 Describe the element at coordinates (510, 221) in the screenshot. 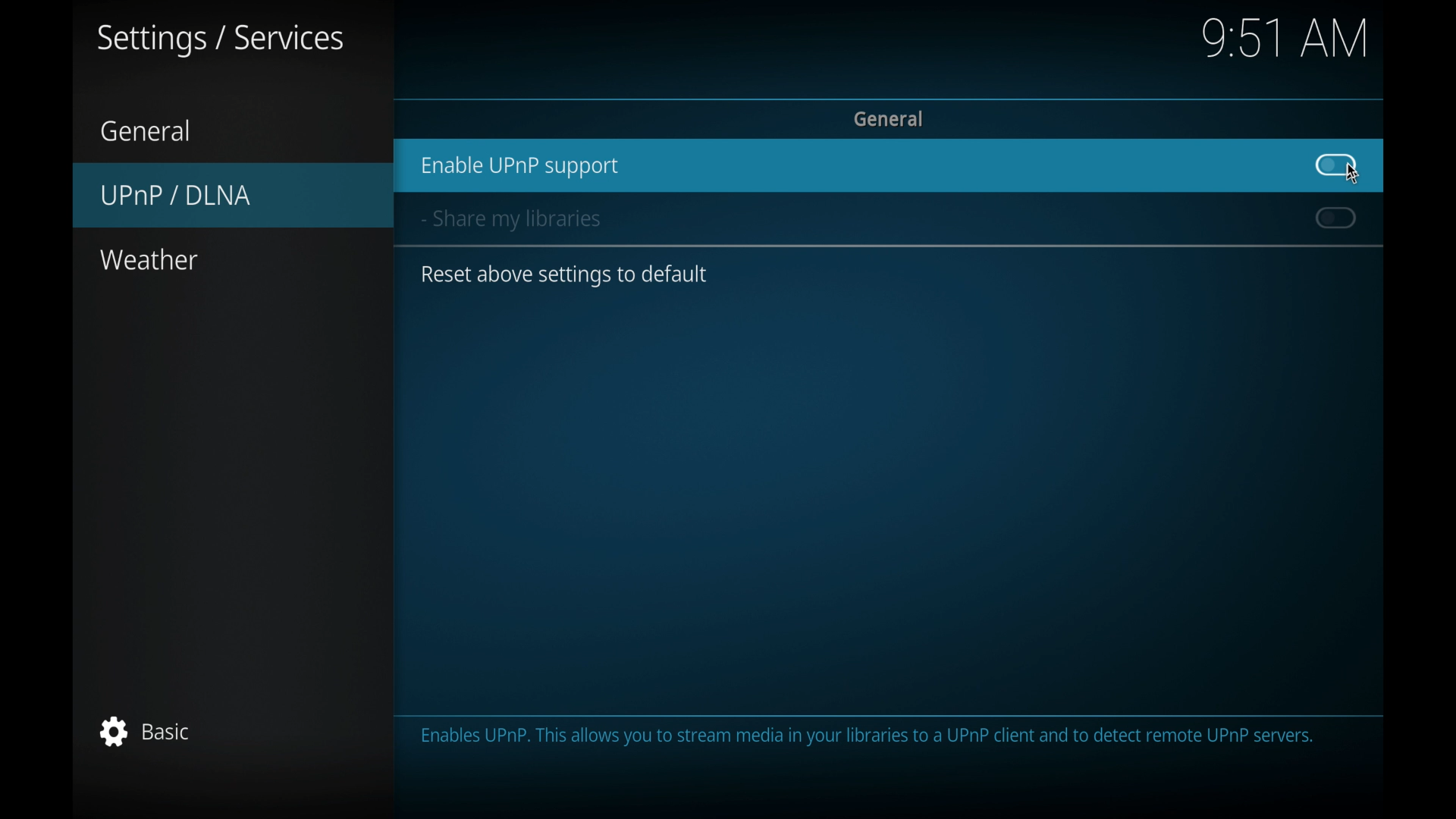

I see `share my libraries` at that location.